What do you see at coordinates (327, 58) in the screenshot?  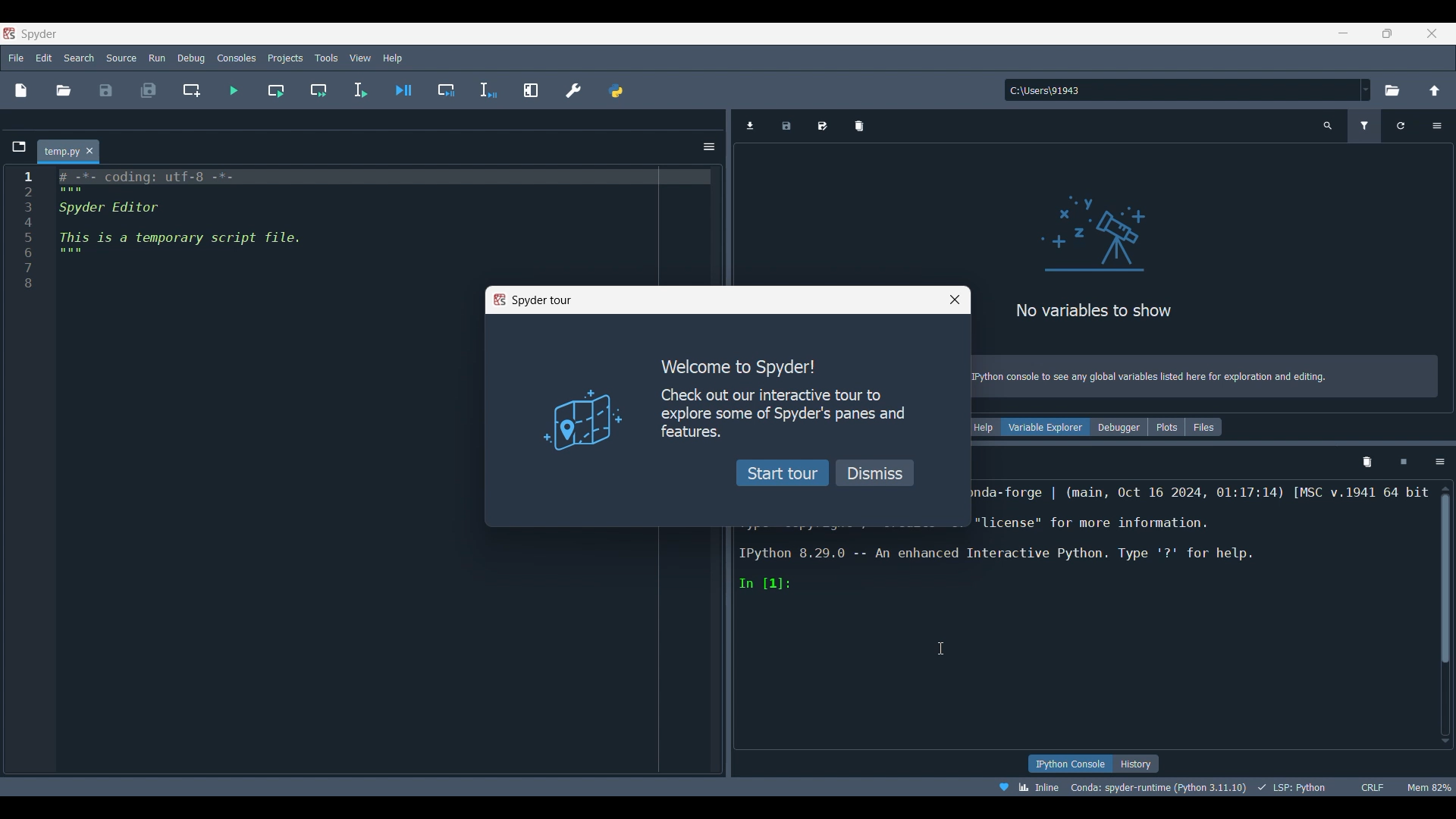 I see `Tools menu` at bounding box center [327, 58].